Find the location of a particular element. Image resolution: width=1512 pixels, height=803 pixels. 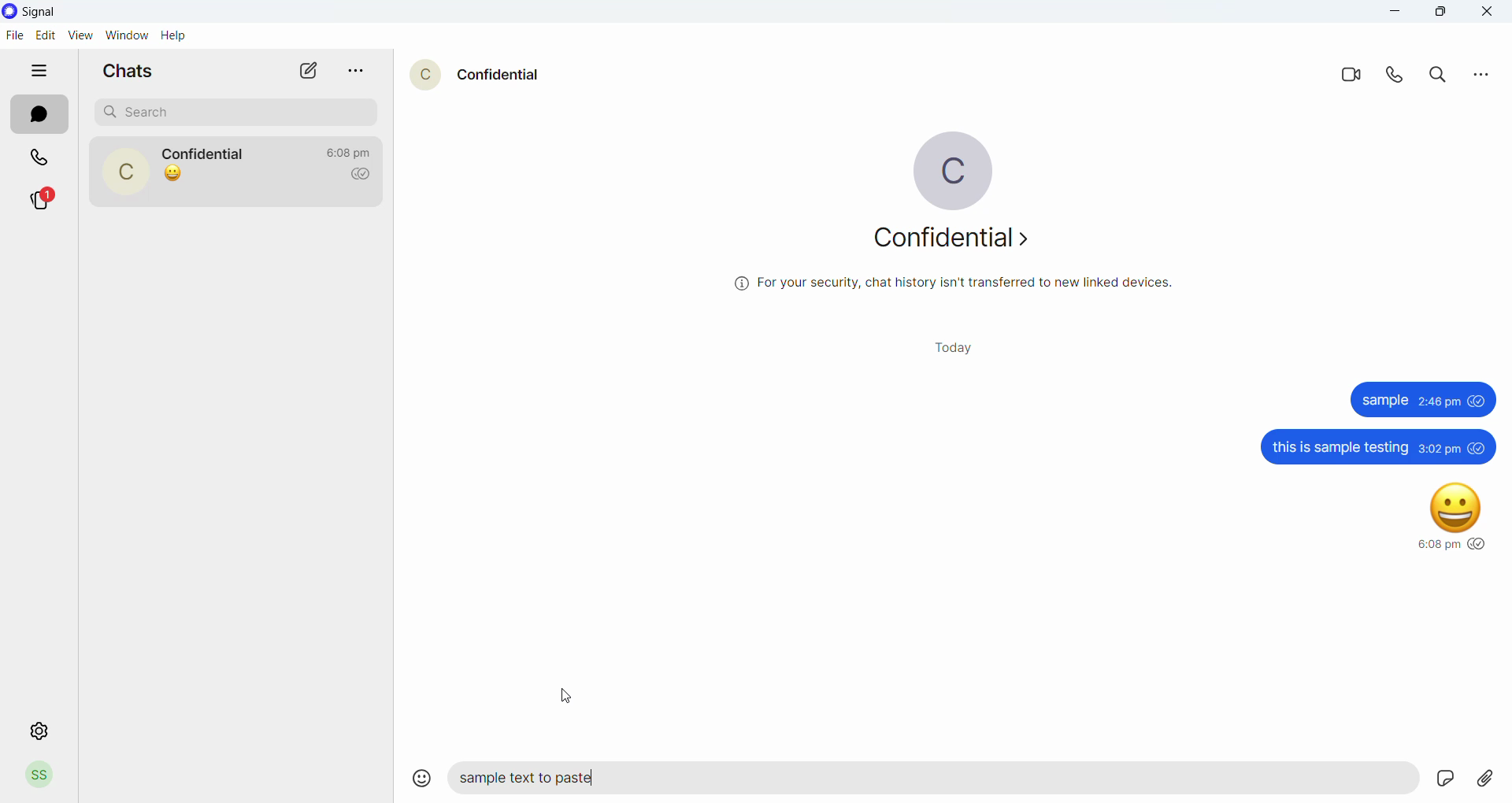

Profile is located at coordinates (41, 775).